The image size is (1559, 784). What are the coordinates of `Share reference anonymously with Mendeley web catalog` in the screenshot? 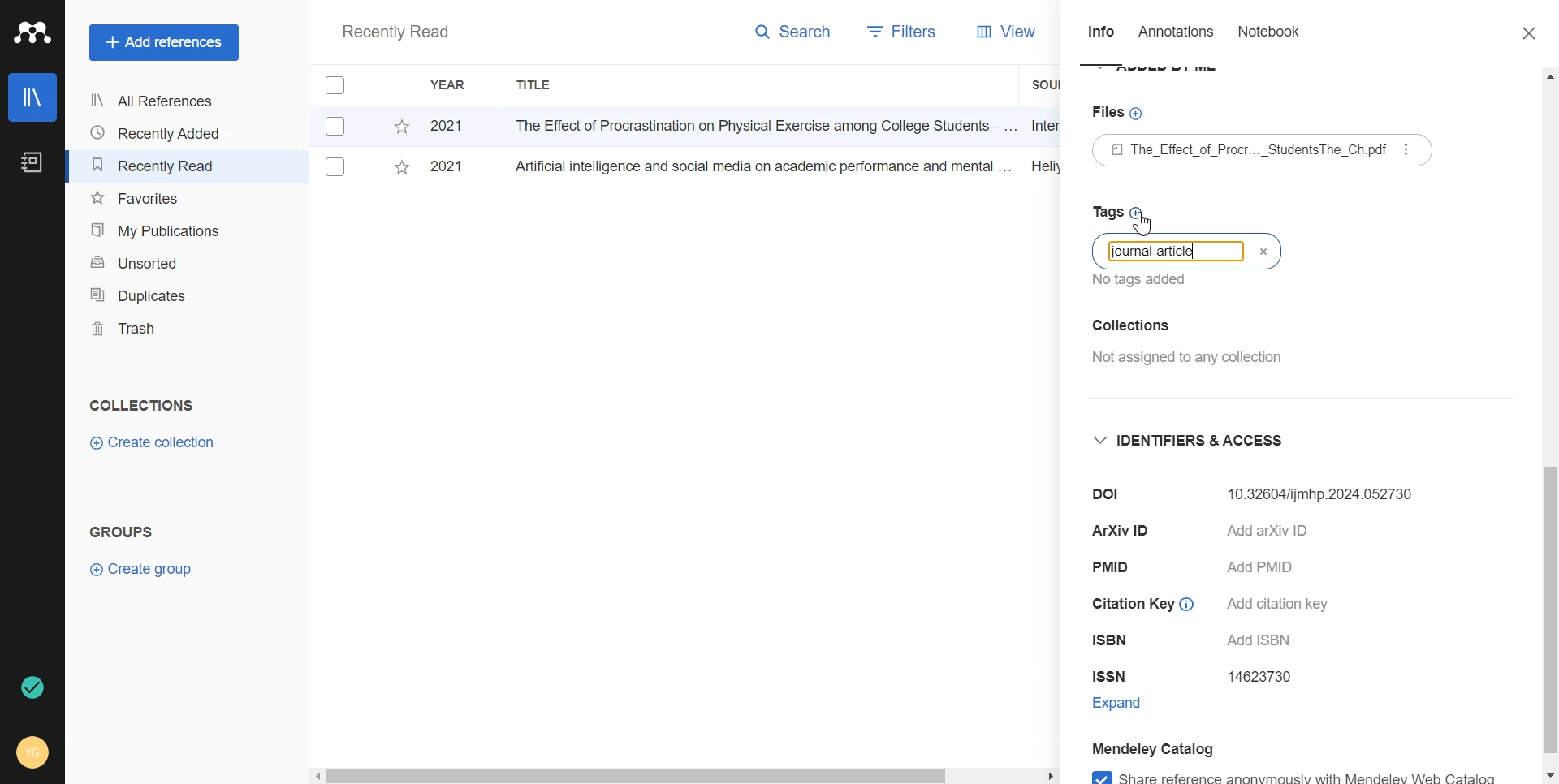 It's located at (1293, 773).